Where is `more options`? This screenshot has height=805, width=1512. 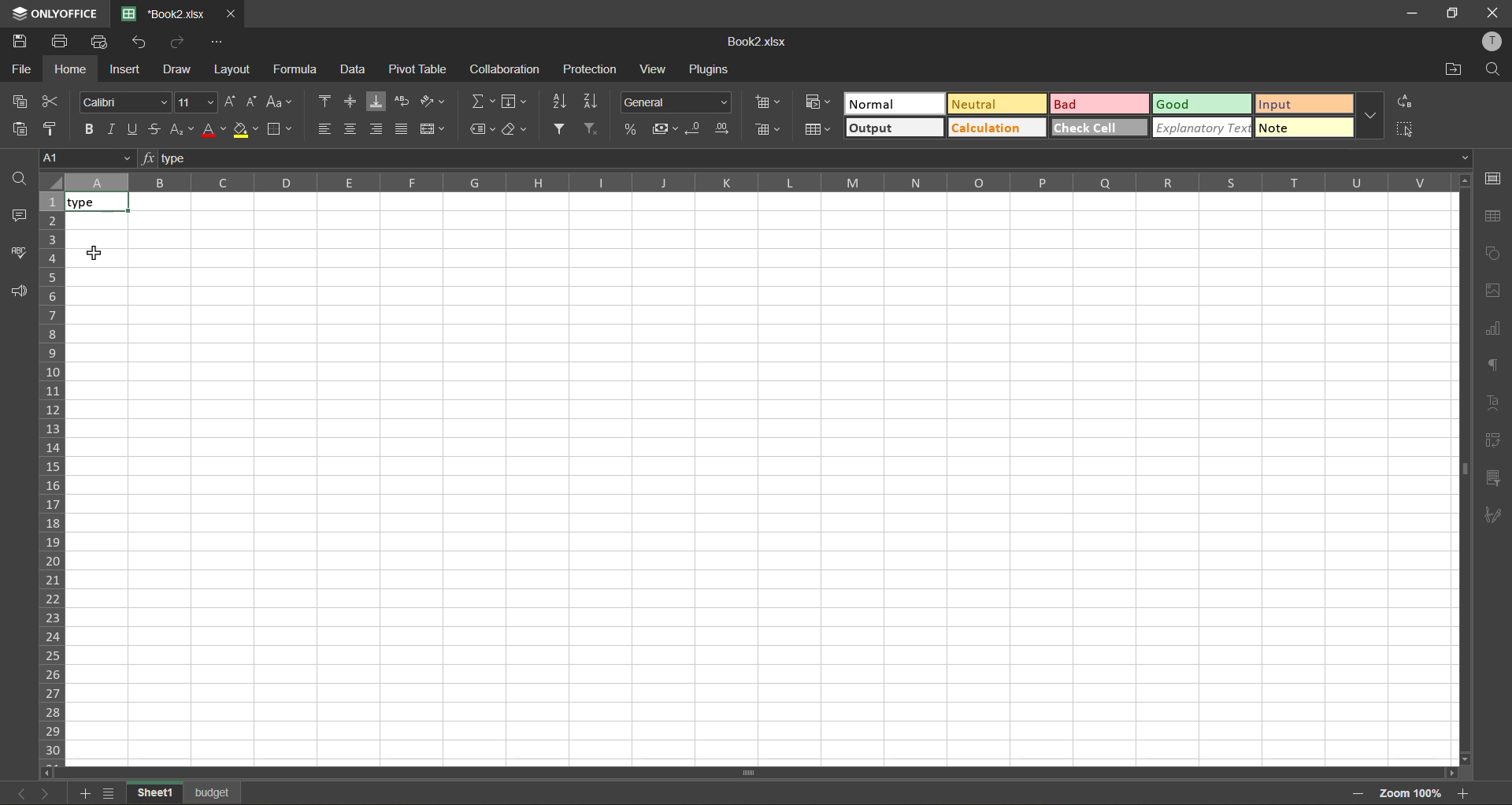 more options is located at coordinates (1370, 117).